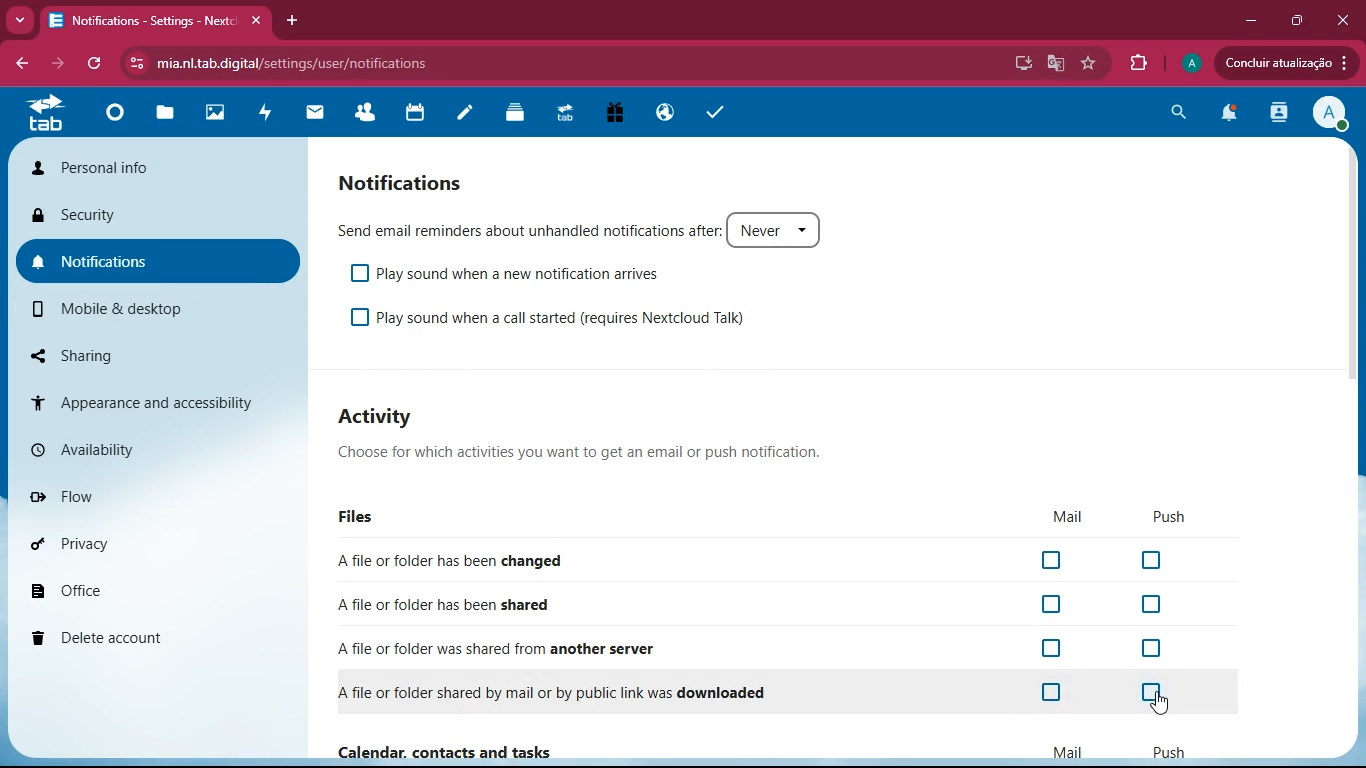 The height and width of the screenshot is (768, 1366). Describe the element at coordinates (1153, 648) in the screenshot. I see `off` at that location.